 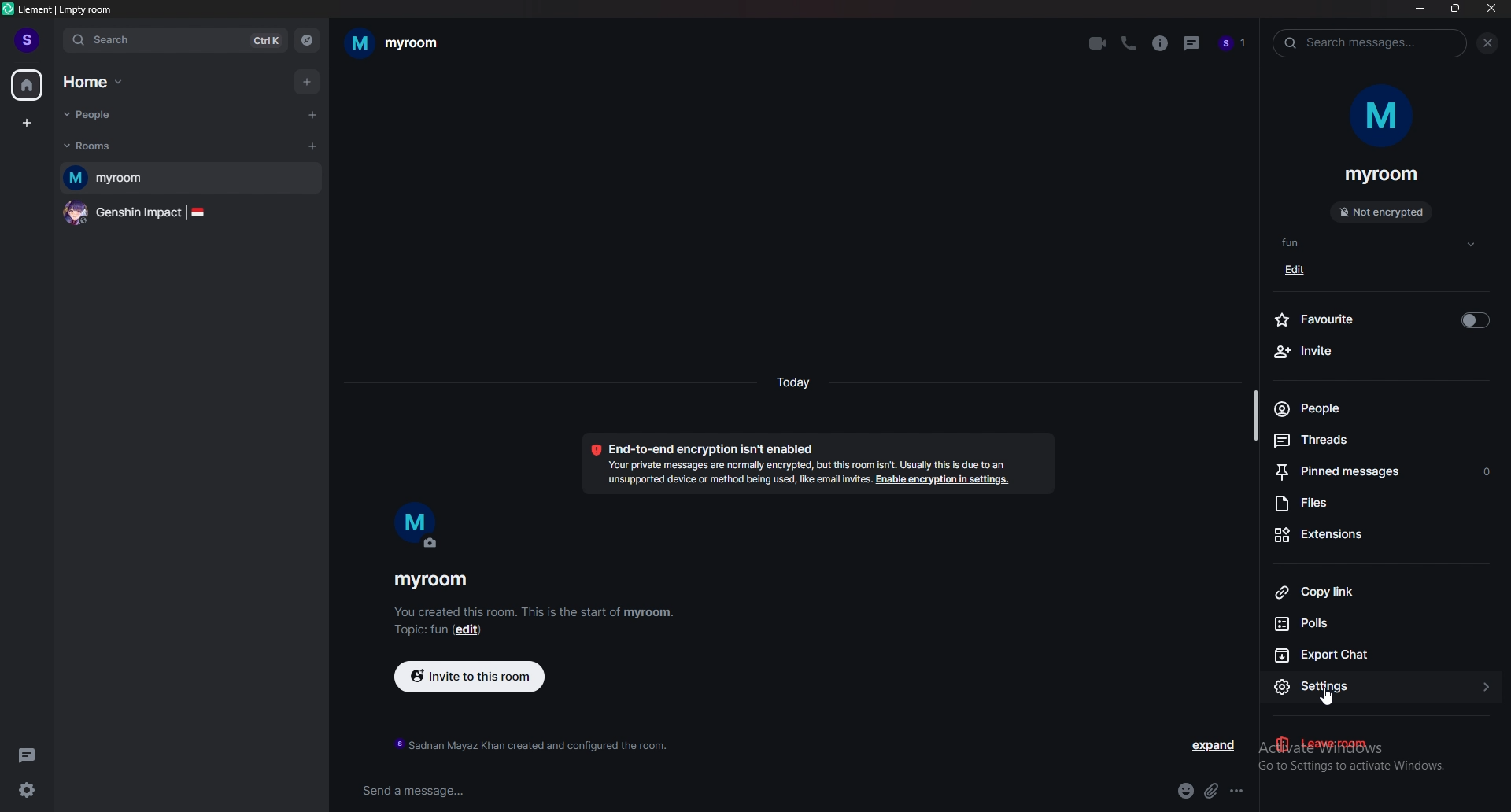 What do you see at coordinates (1236, 44) in the screenshot?
I see `people` at bounding box center [1236, 44].